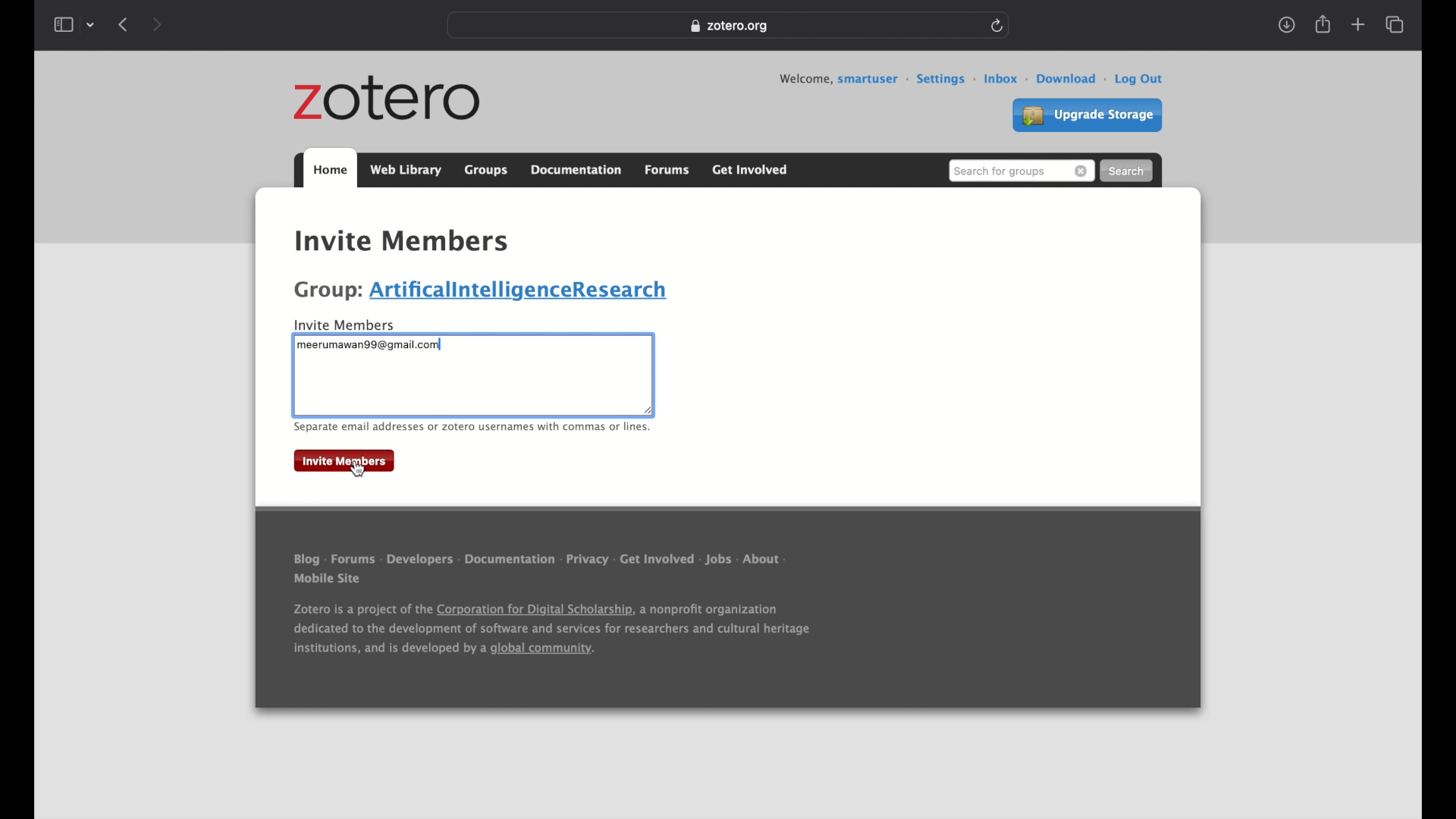 This screenshot has height=819, width=1456. Describe the element at coordinates (1006, 80) in the screenshot. I see `inbox` at that location.